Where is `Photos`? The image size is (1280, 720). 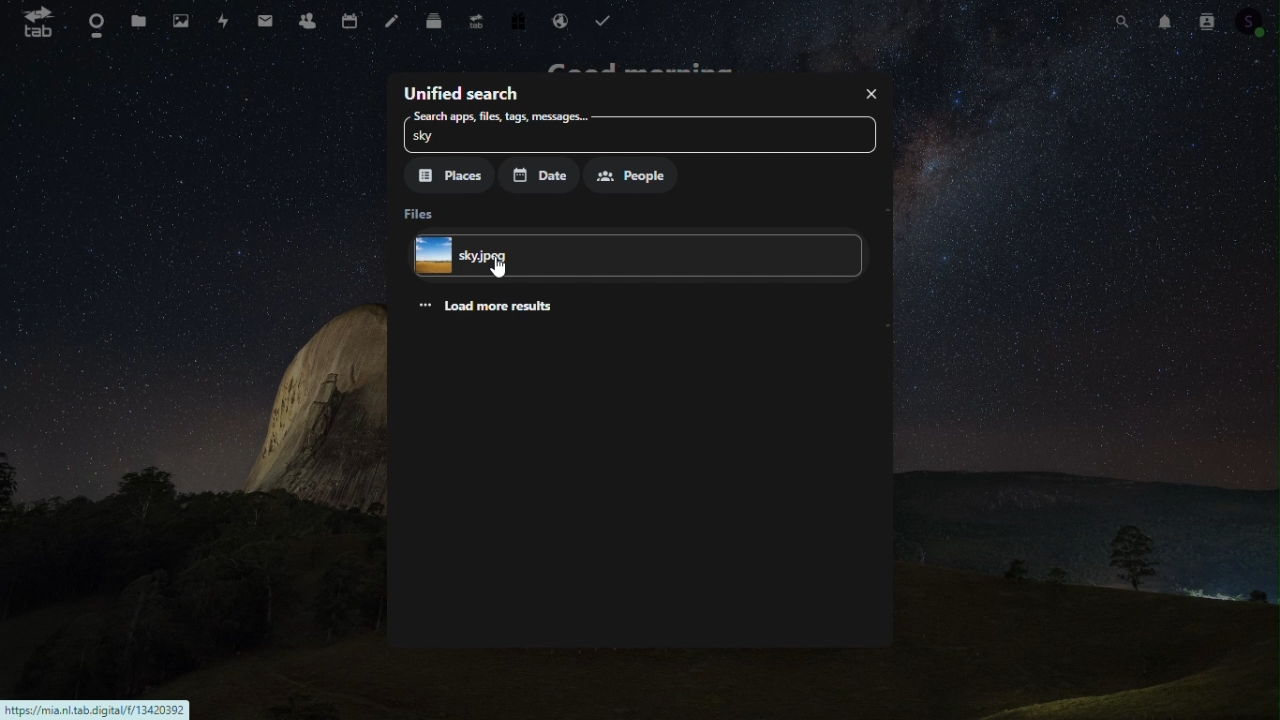
Photos is located at coordinates (181, 19).